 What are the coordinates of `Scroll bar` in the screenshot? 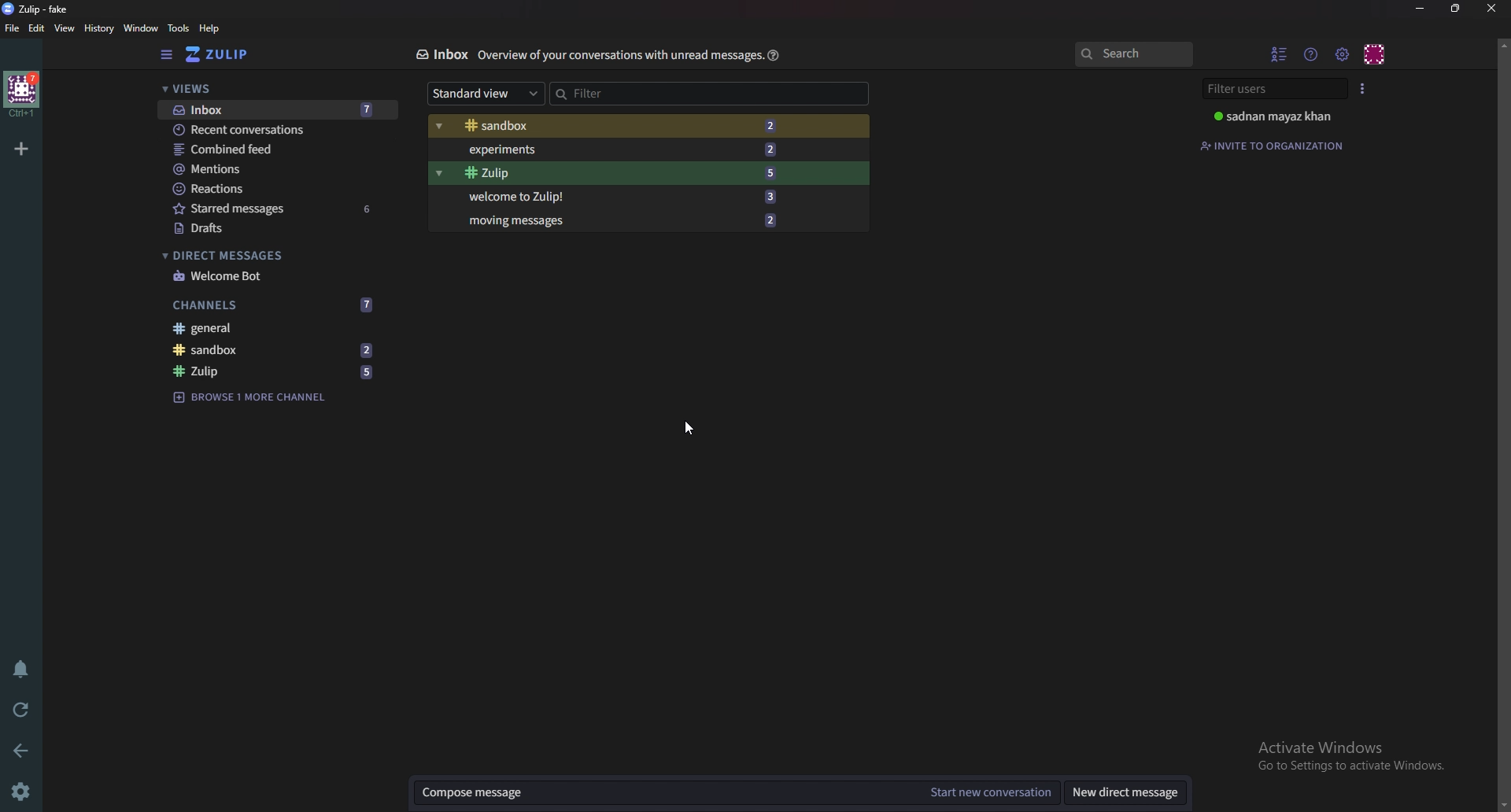 It's located at (1502, 424).